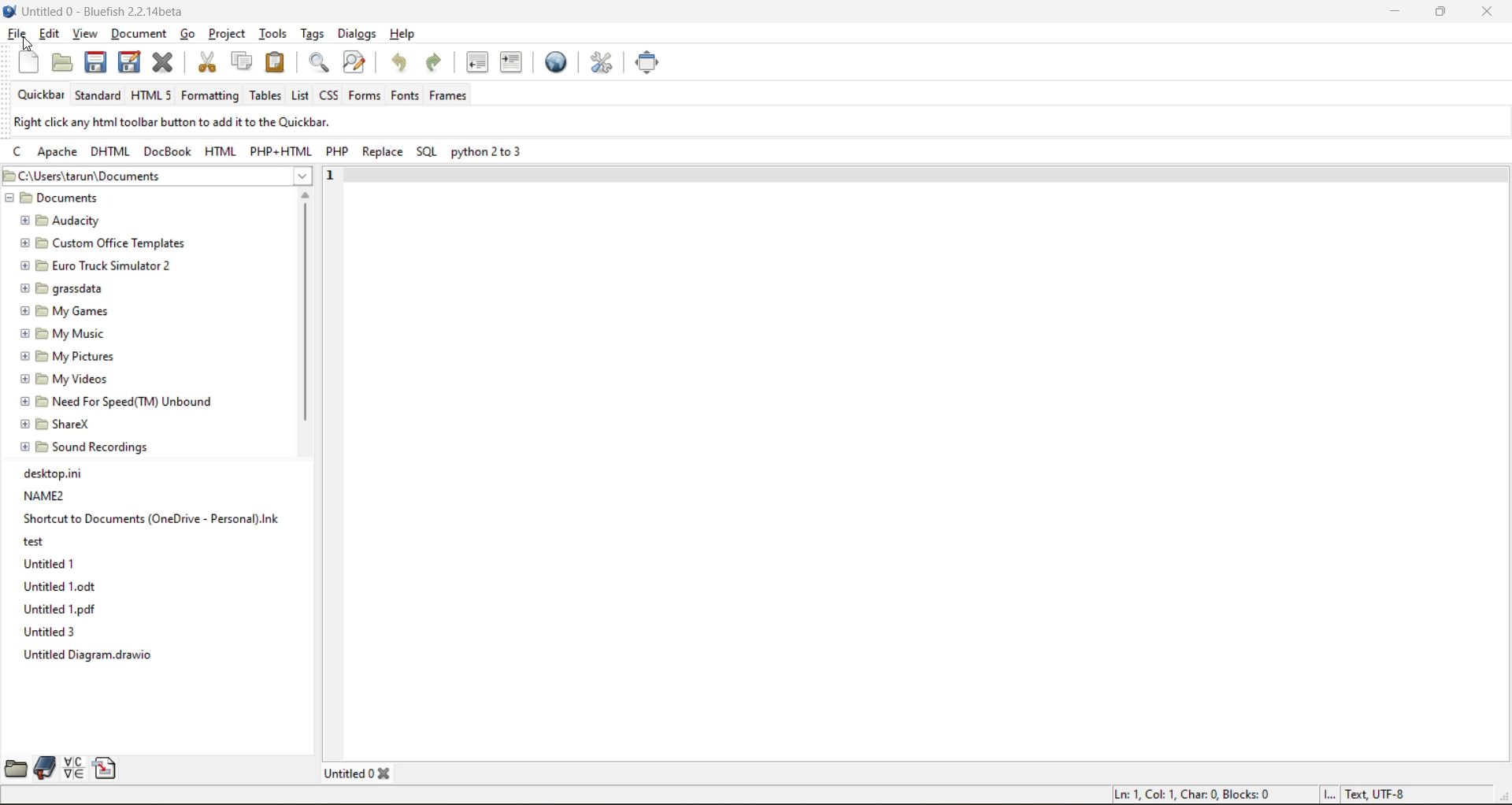 Image resolution: width=1512 pixels, height=805 pixels. Describe the element at coordinates (211, 97) in the screenshot. I see `formatting` at that location.